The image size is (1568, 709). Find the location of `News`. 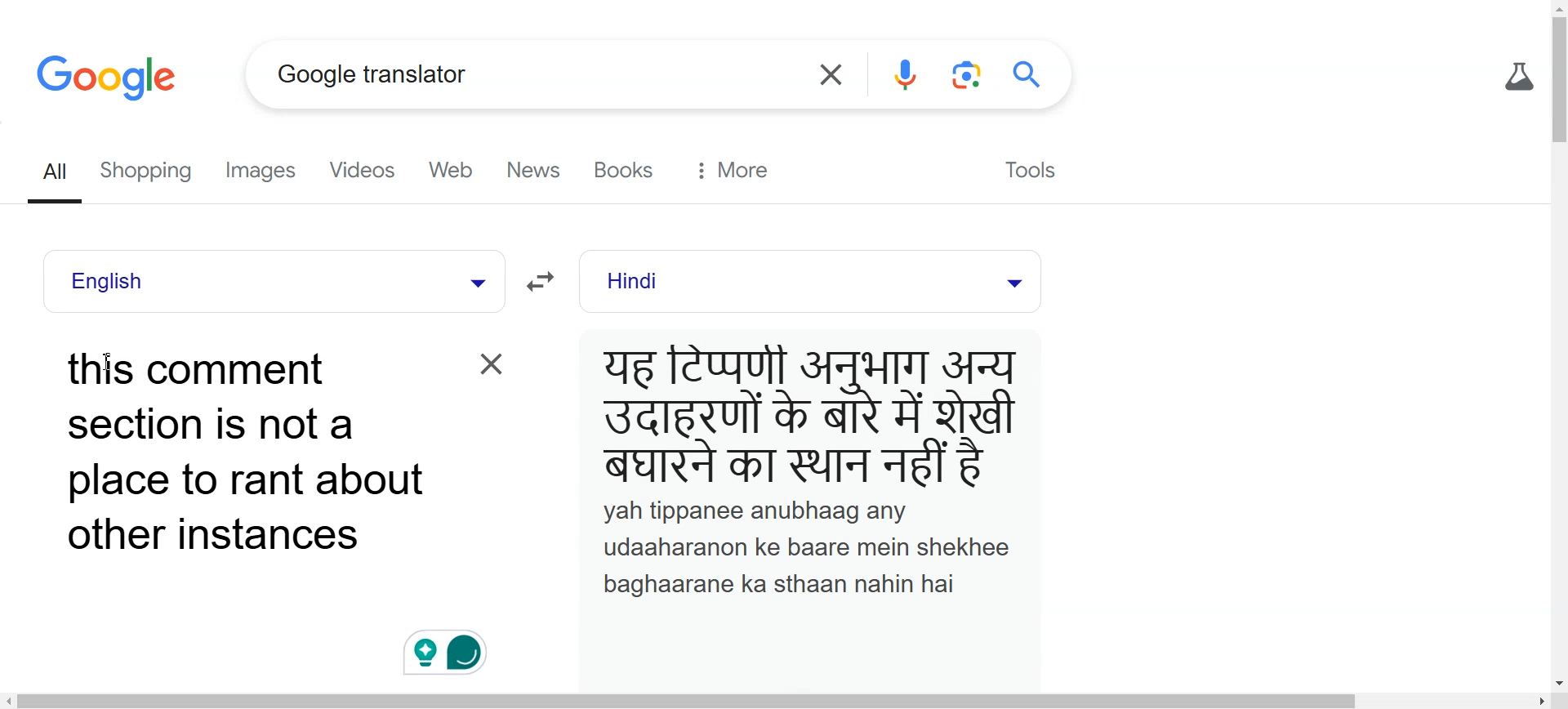

News is located at coordinates (537, 171).